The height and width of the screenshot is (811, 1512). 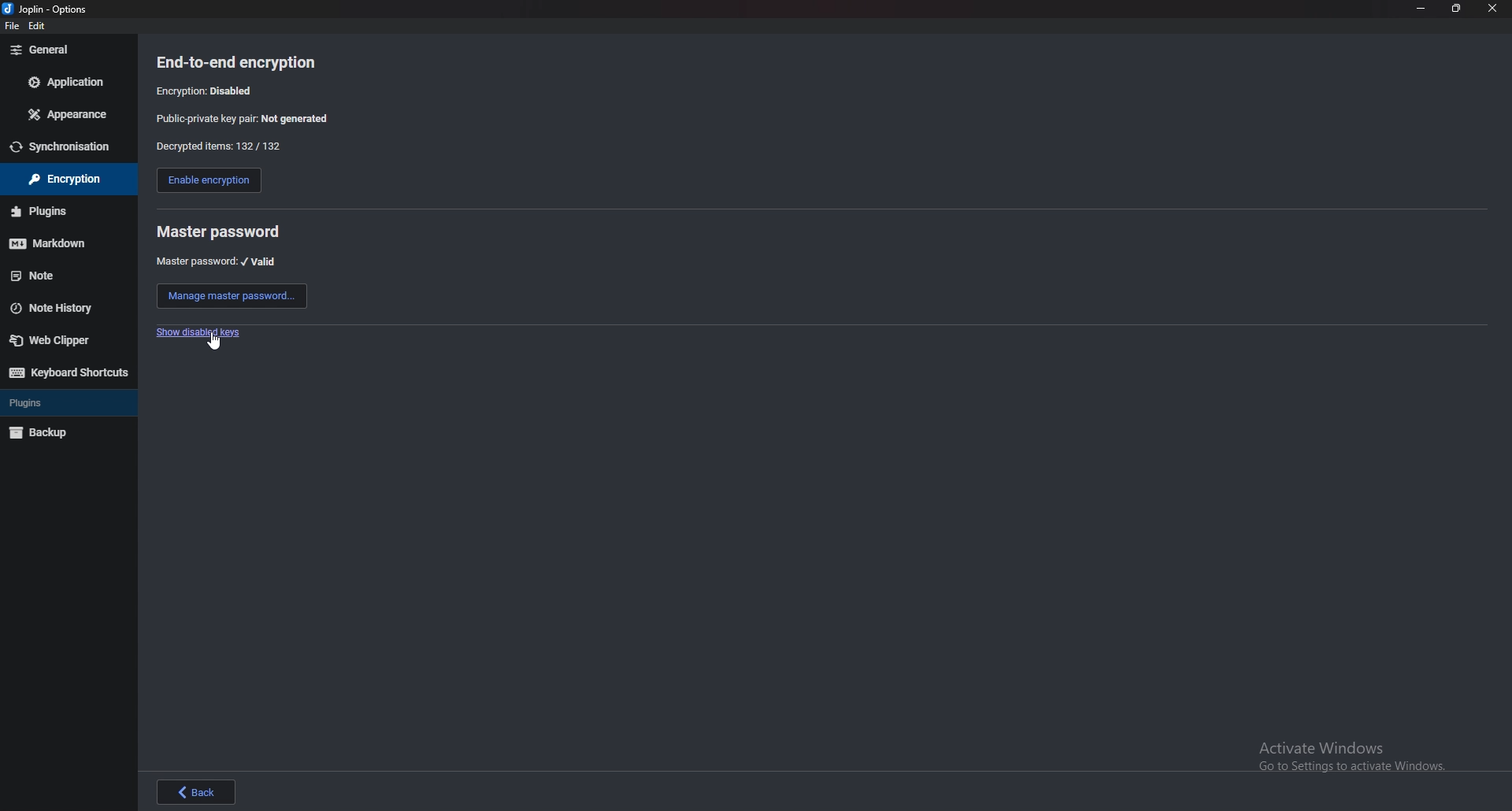 What do you see at coordinates (64, 434) in the screenshot?
I see `backup` at bounding box center [64, 434].